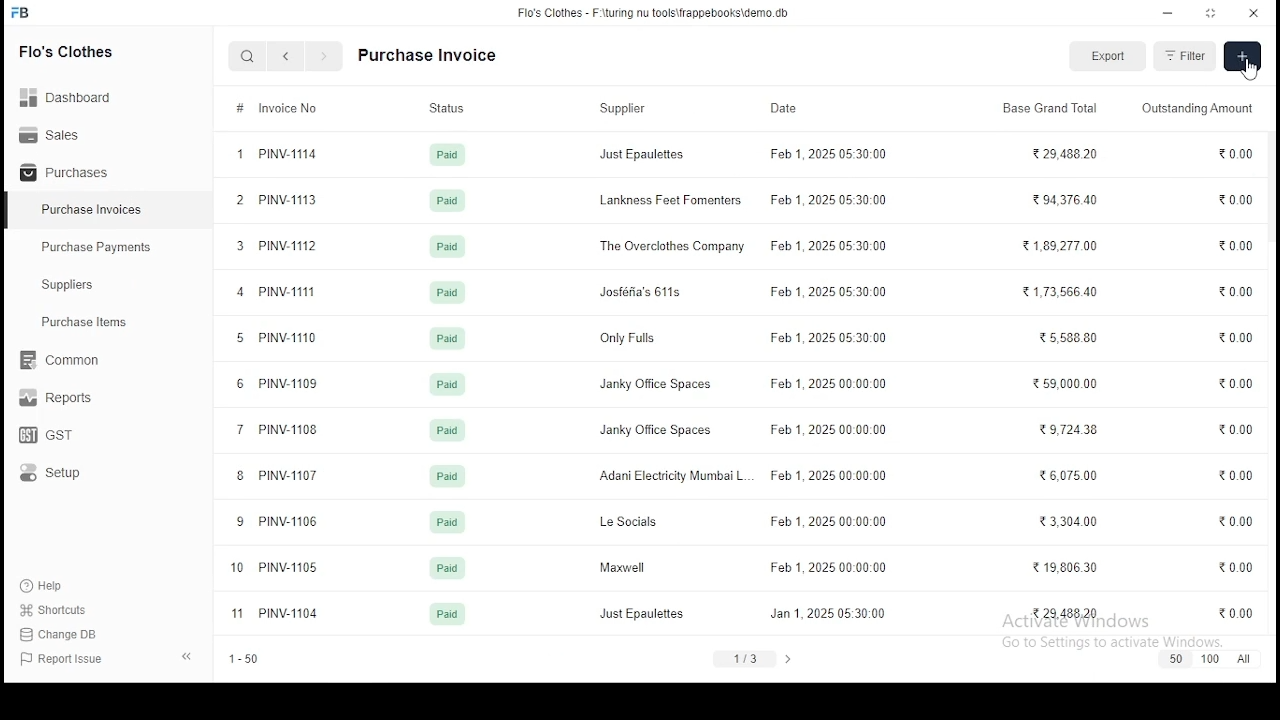 Image resolution: width=1280 pixels, height=720 pixels. I want to click on paid, so click(447, 201).